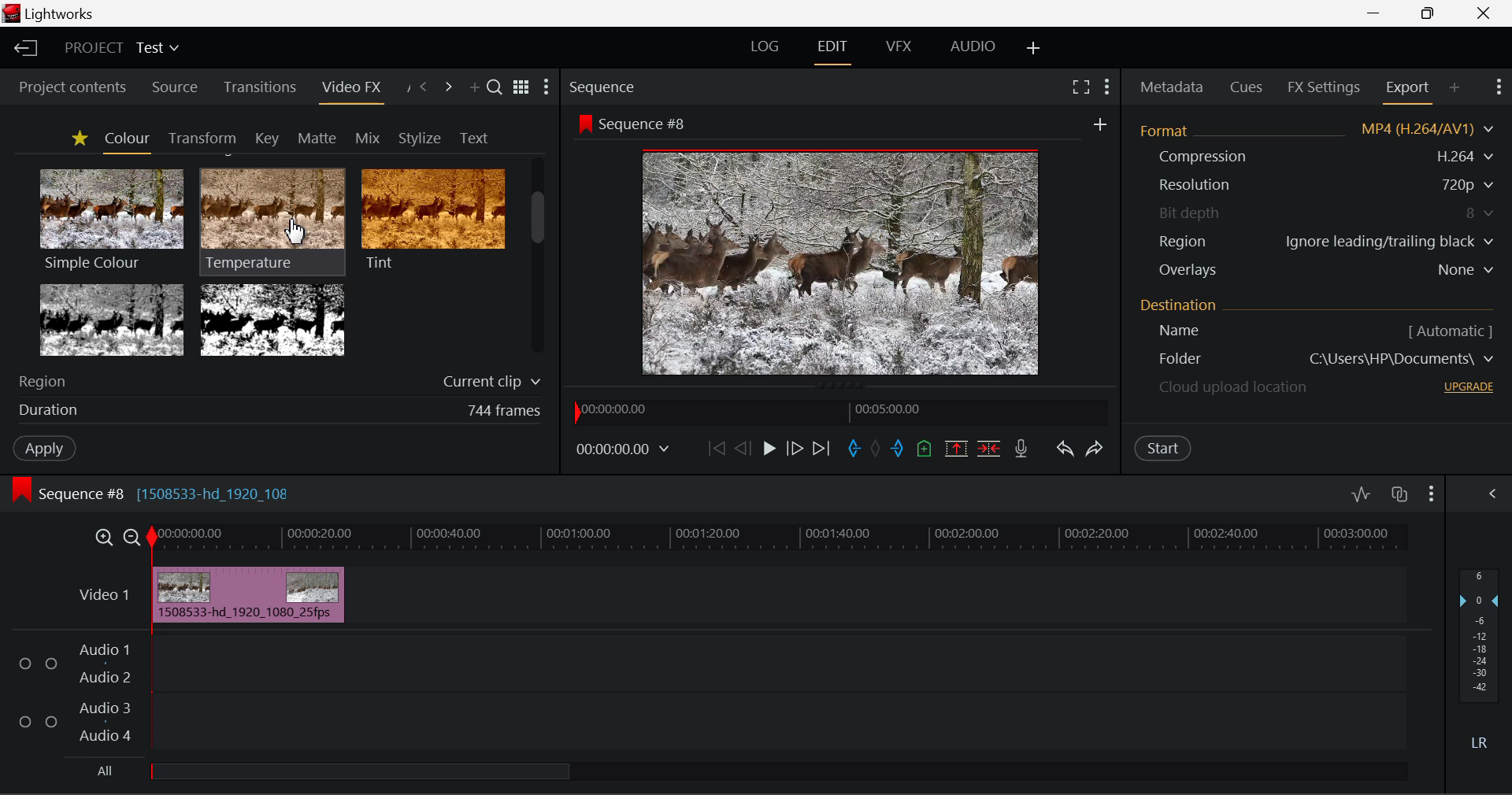 This screenshot has width=1512, height=795. What do you see at coordinates (102, 733) in the screenshot?
I see `Audio 4` at bounding box center [102, 733].